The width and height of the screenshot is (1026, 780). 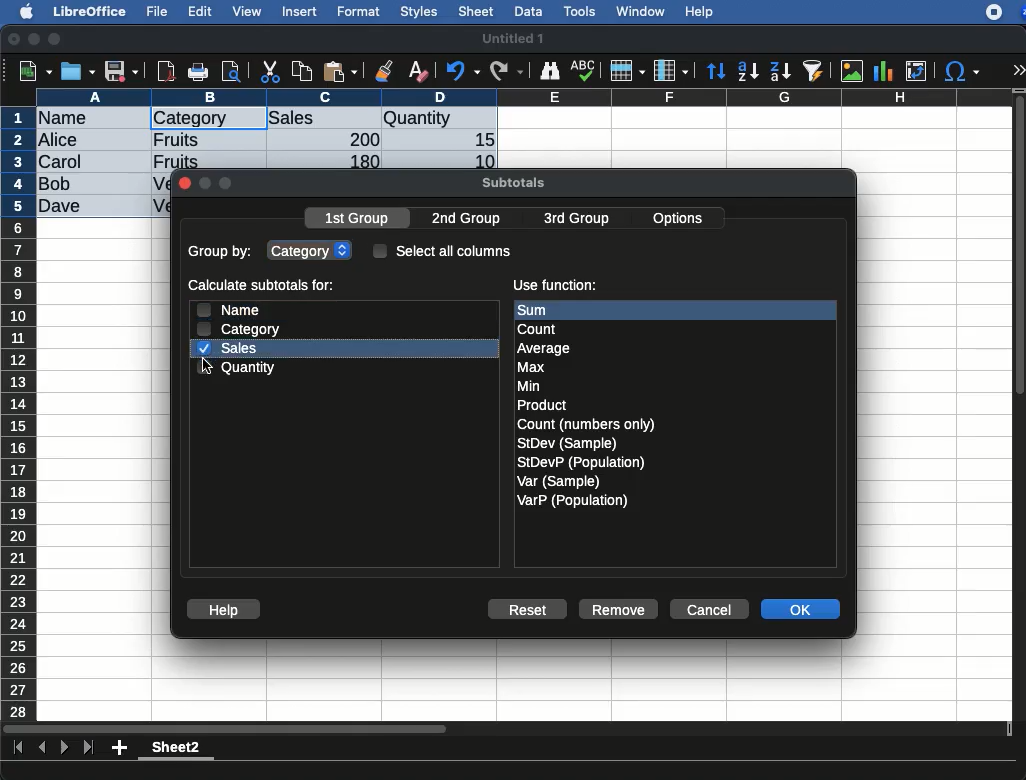 What do you see at coordinates (532, 368) in the screenshot?
I see `Max` at bounding box center [532, 368].